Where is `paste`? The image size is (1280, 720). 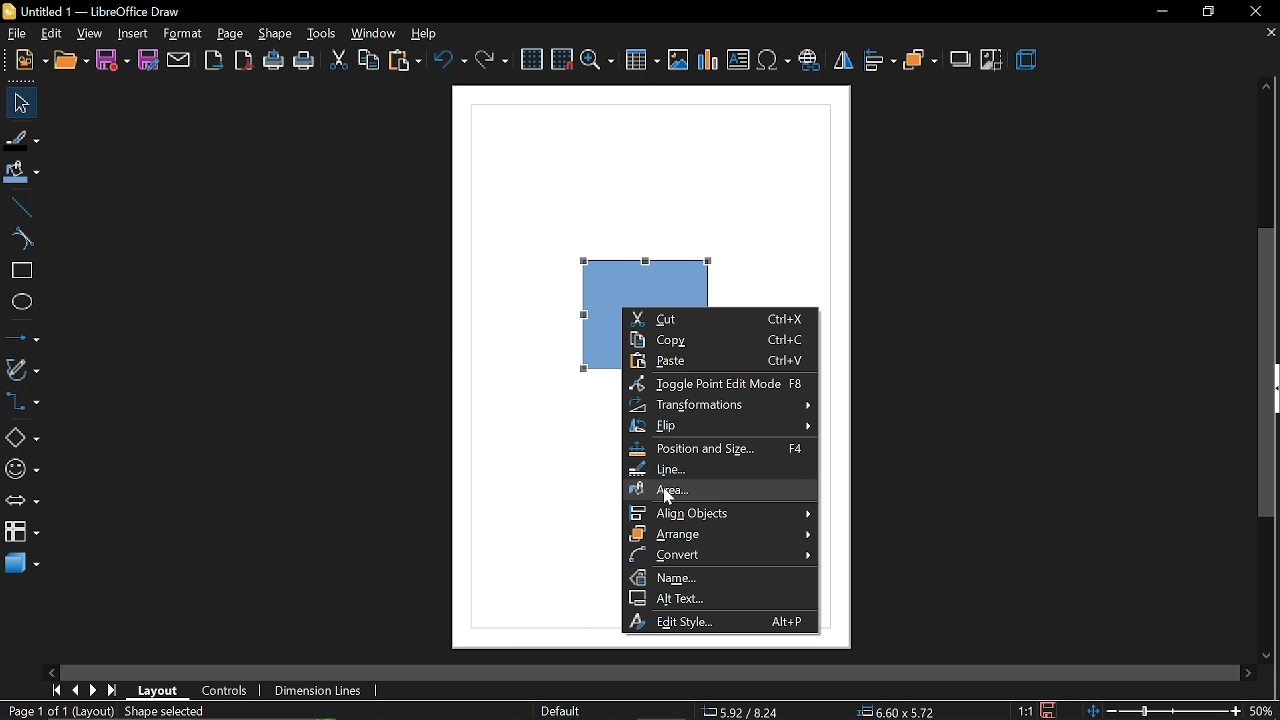 paste is located at coordinates (406, 62).